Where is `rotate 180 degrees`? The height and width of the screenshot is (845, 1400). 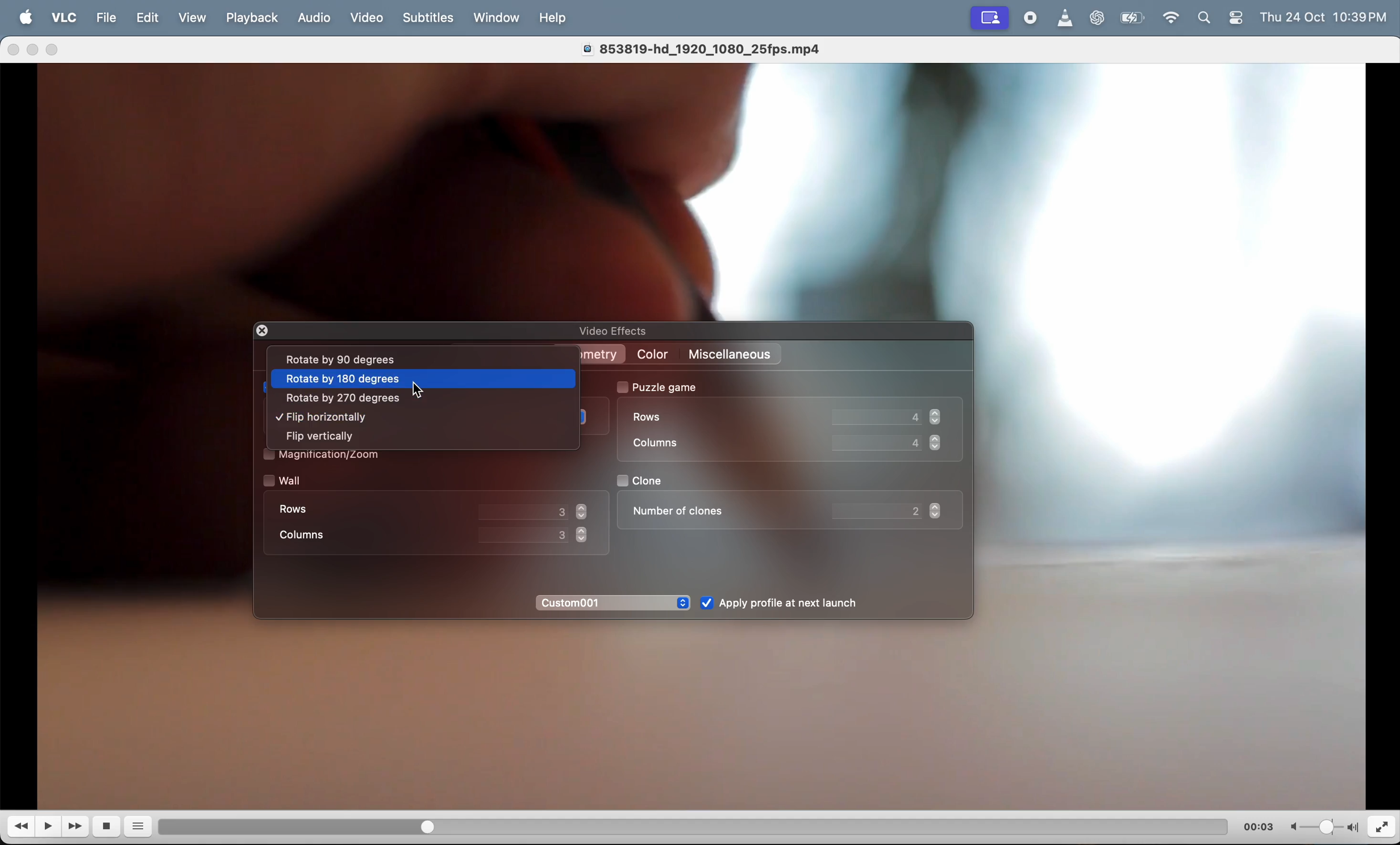
rotate 180 degrees is located at coordinates (410, 380).